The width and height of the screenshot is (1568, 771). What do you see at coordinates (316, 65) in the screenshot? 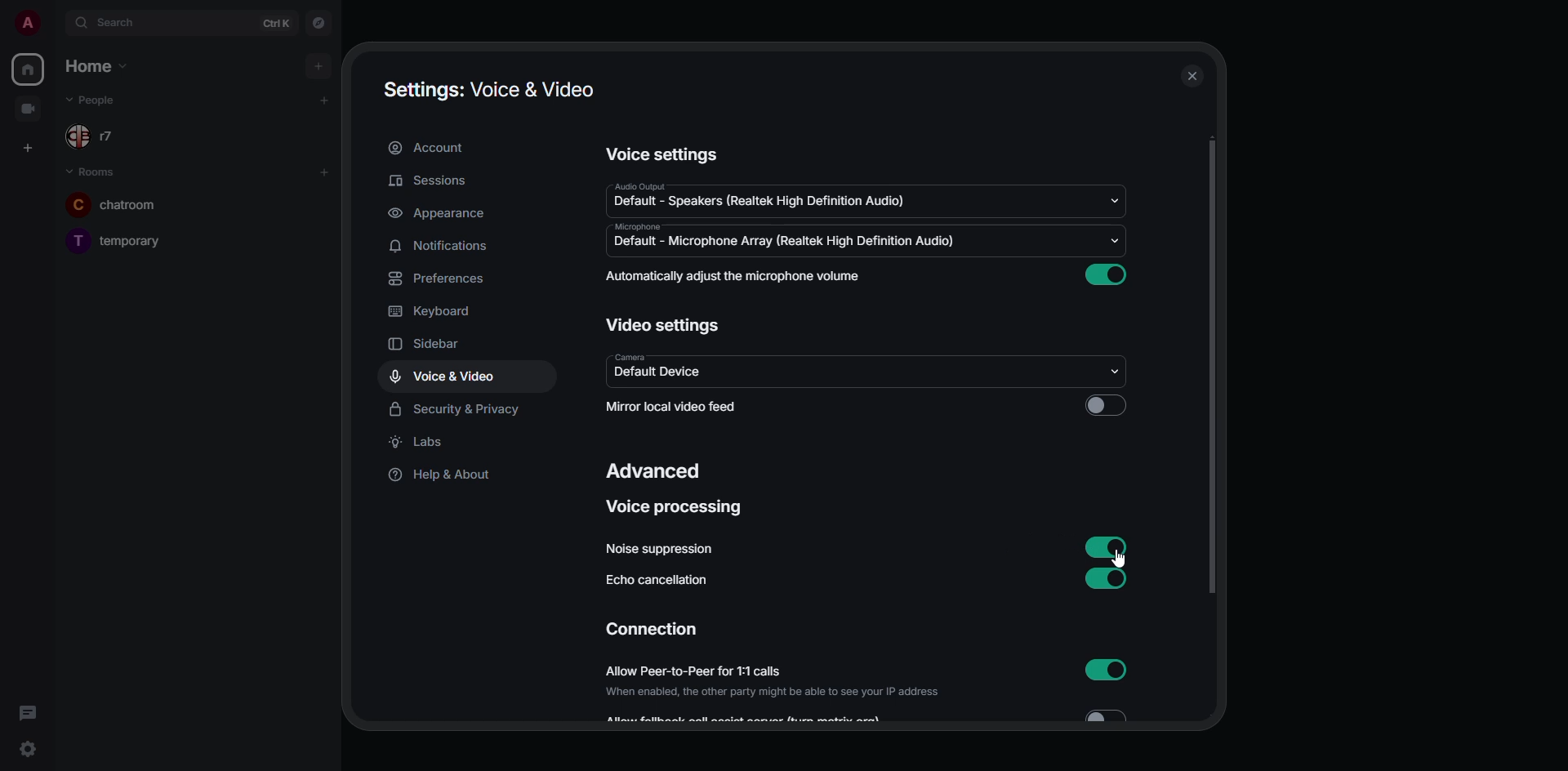
I see `add` at bounding box center [316, 65].